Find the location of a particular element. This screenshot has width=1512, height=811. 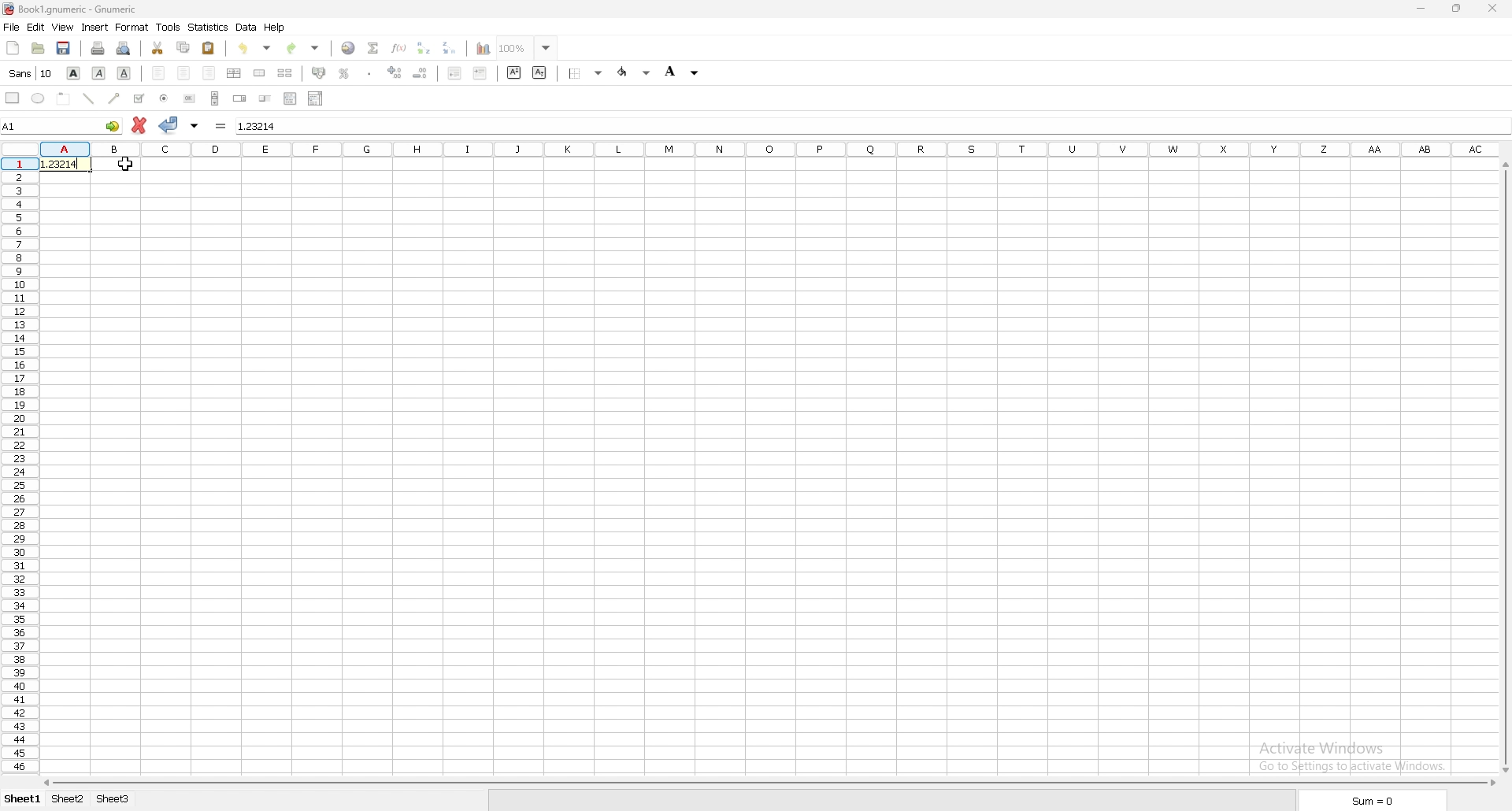

cancel changes is located at coordinates (139, 125).